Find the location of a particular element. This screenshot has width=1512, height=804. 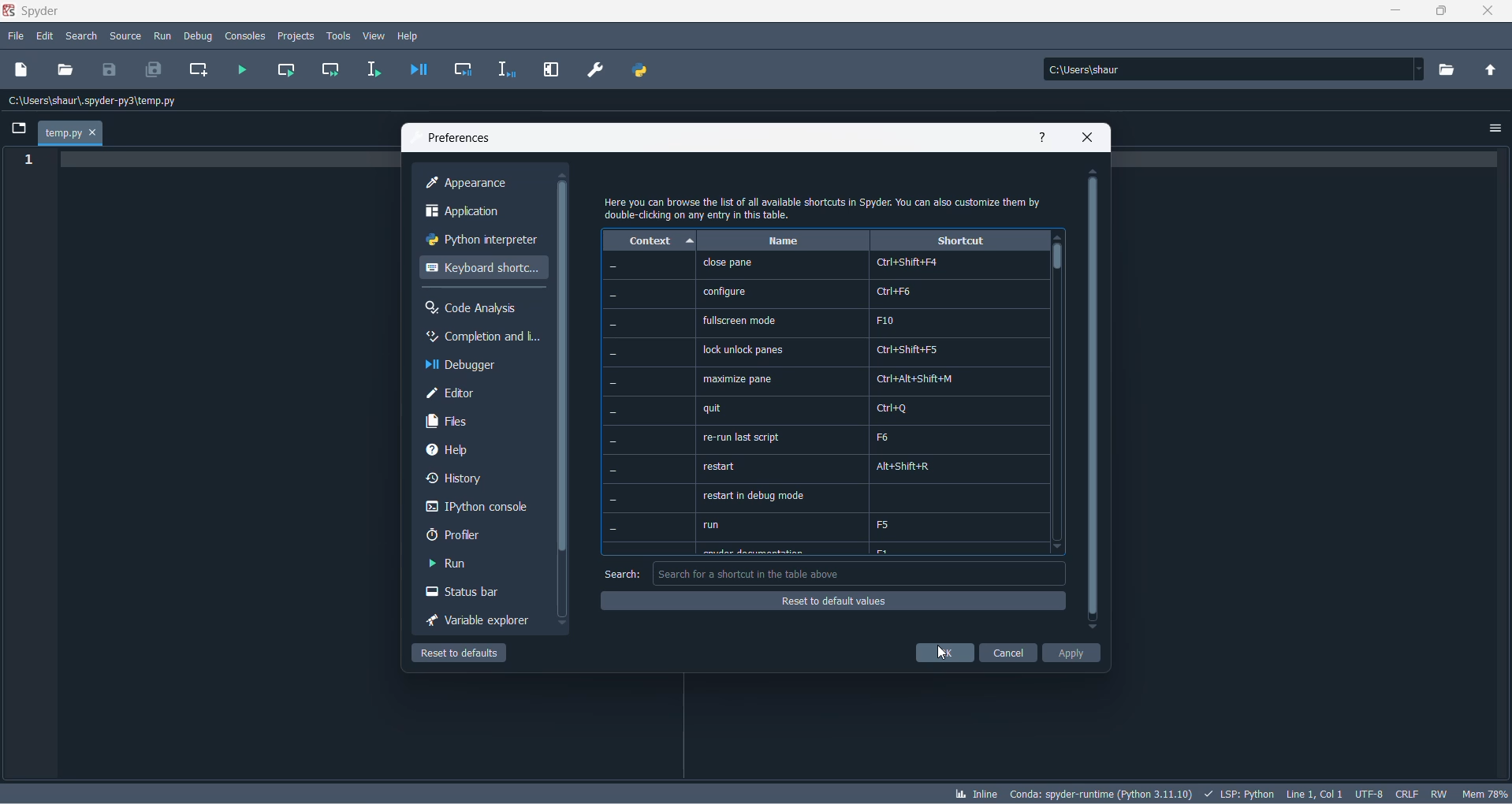

folder is located at coordinates (17, 130).